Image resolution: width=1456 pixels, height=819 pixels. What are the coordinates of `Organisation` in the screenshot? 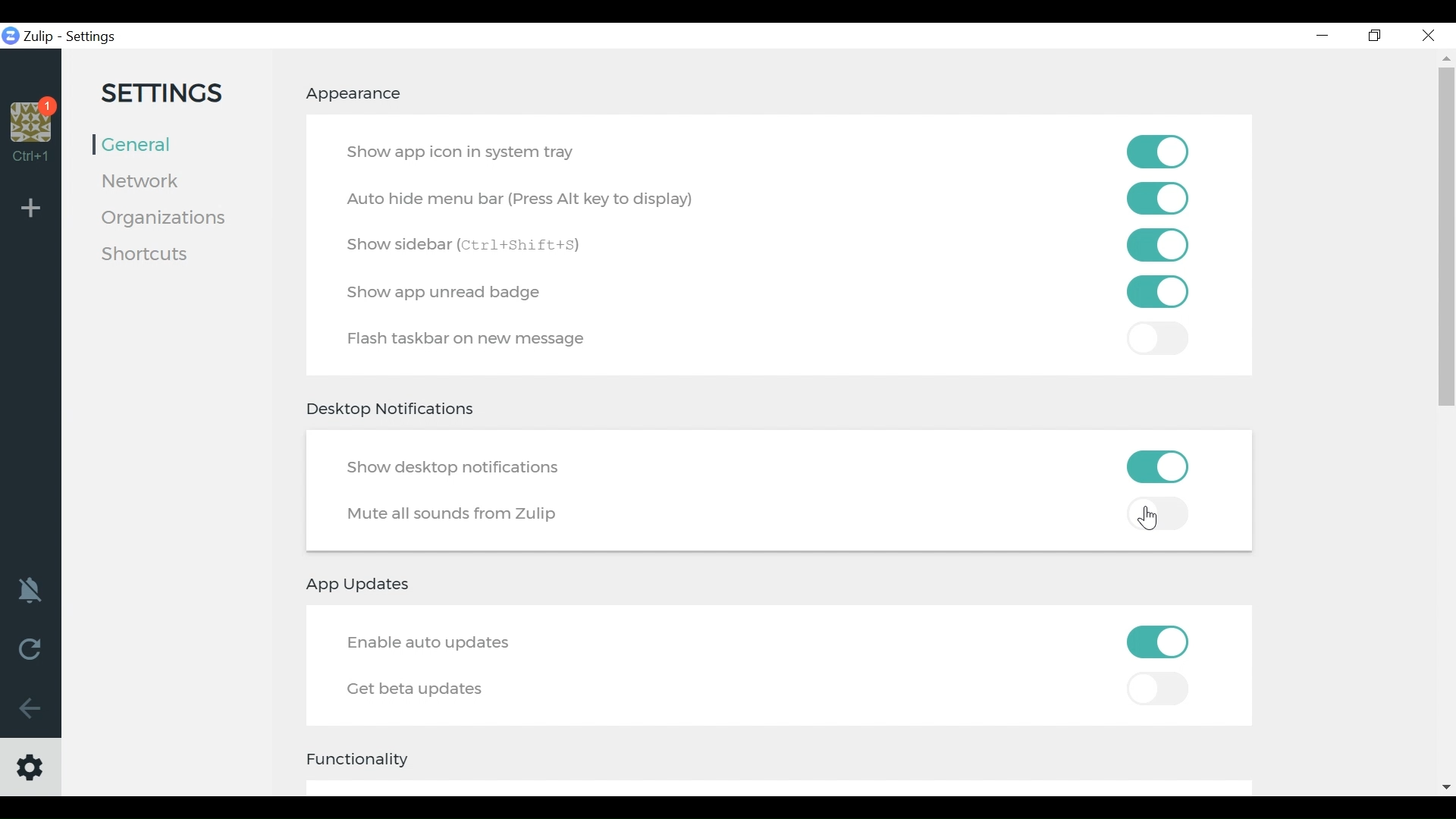 It's located at (165, 218).